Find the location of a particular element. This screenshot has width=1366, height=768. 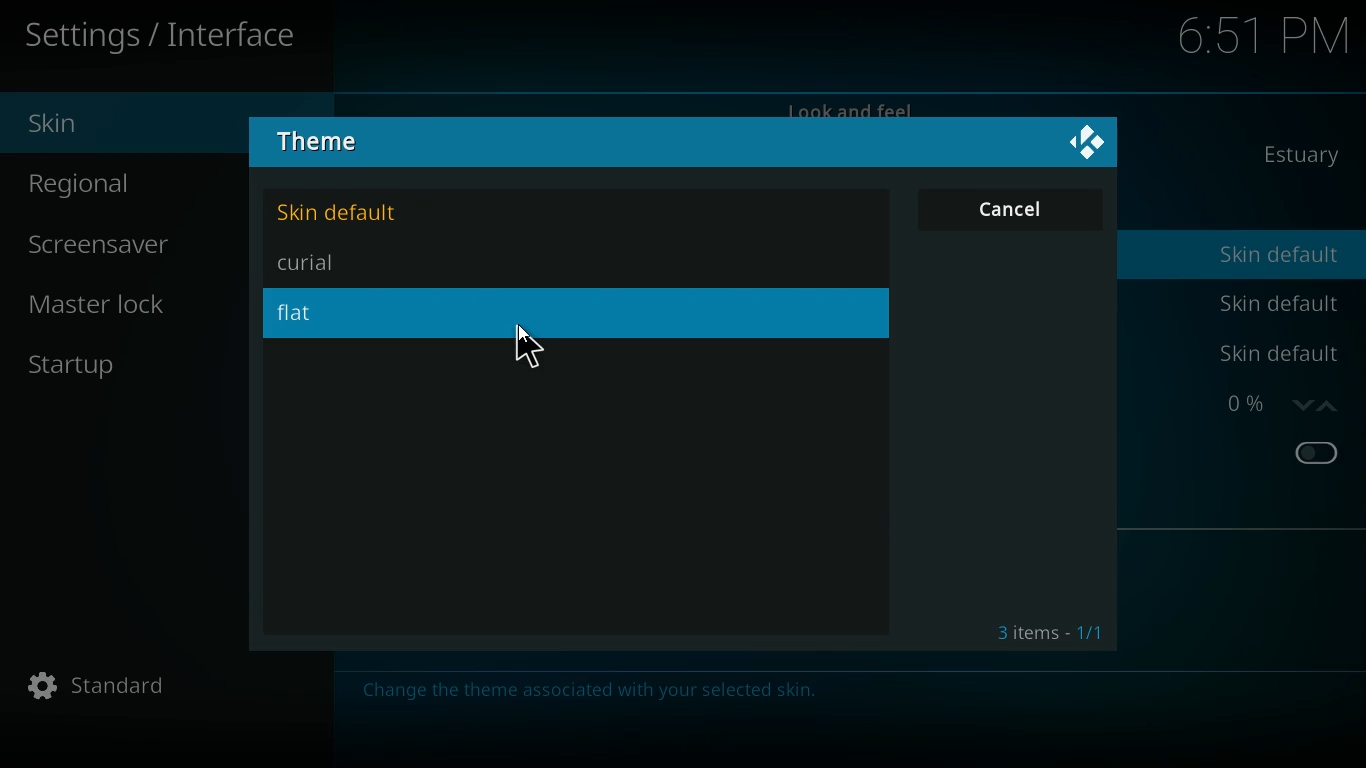

startup is located at coordinates (137, 358).